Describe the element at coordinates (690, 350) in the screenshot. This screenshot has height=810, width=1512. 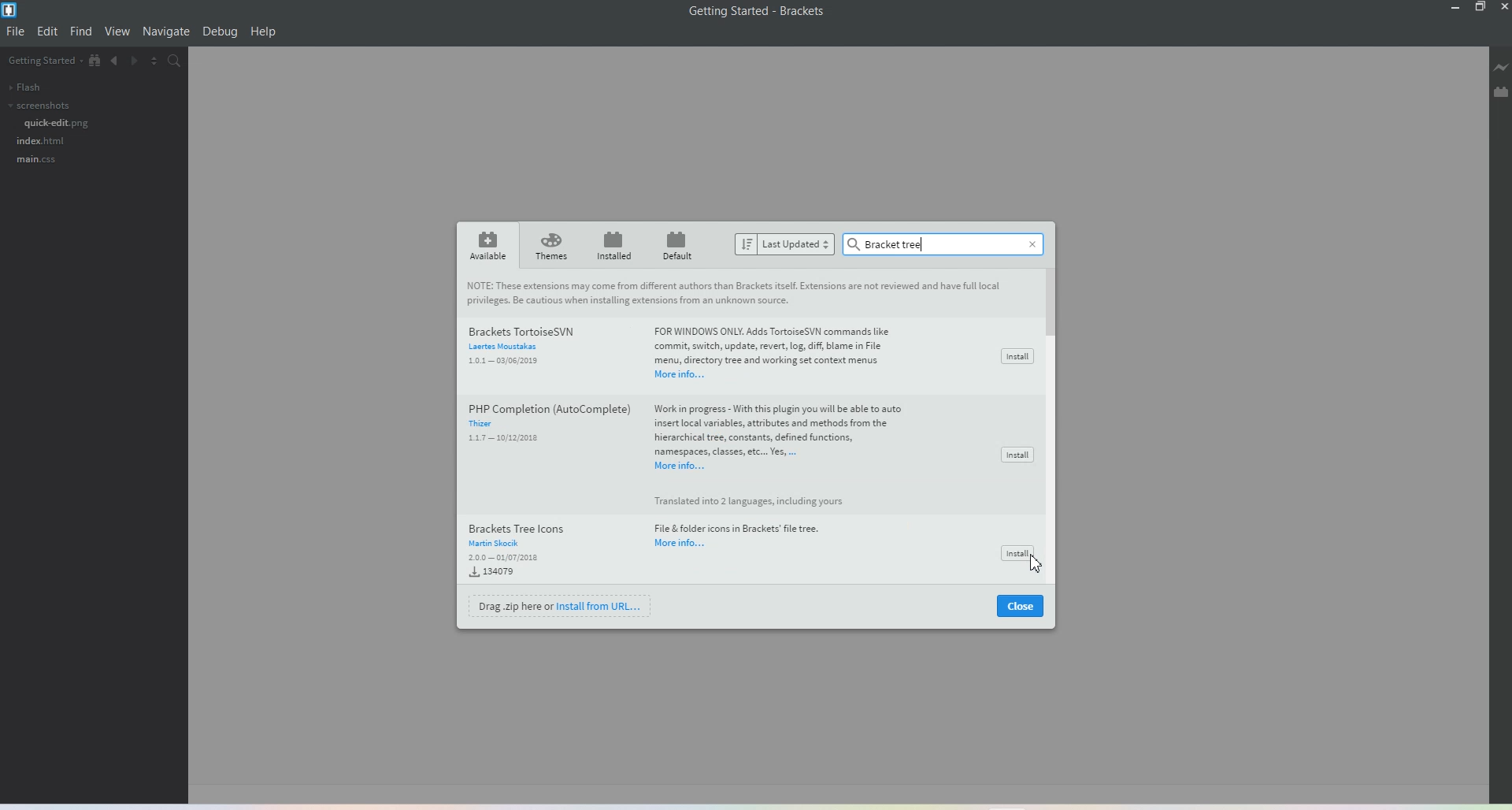
I see `Brackets TortoiseSVN` at that location.